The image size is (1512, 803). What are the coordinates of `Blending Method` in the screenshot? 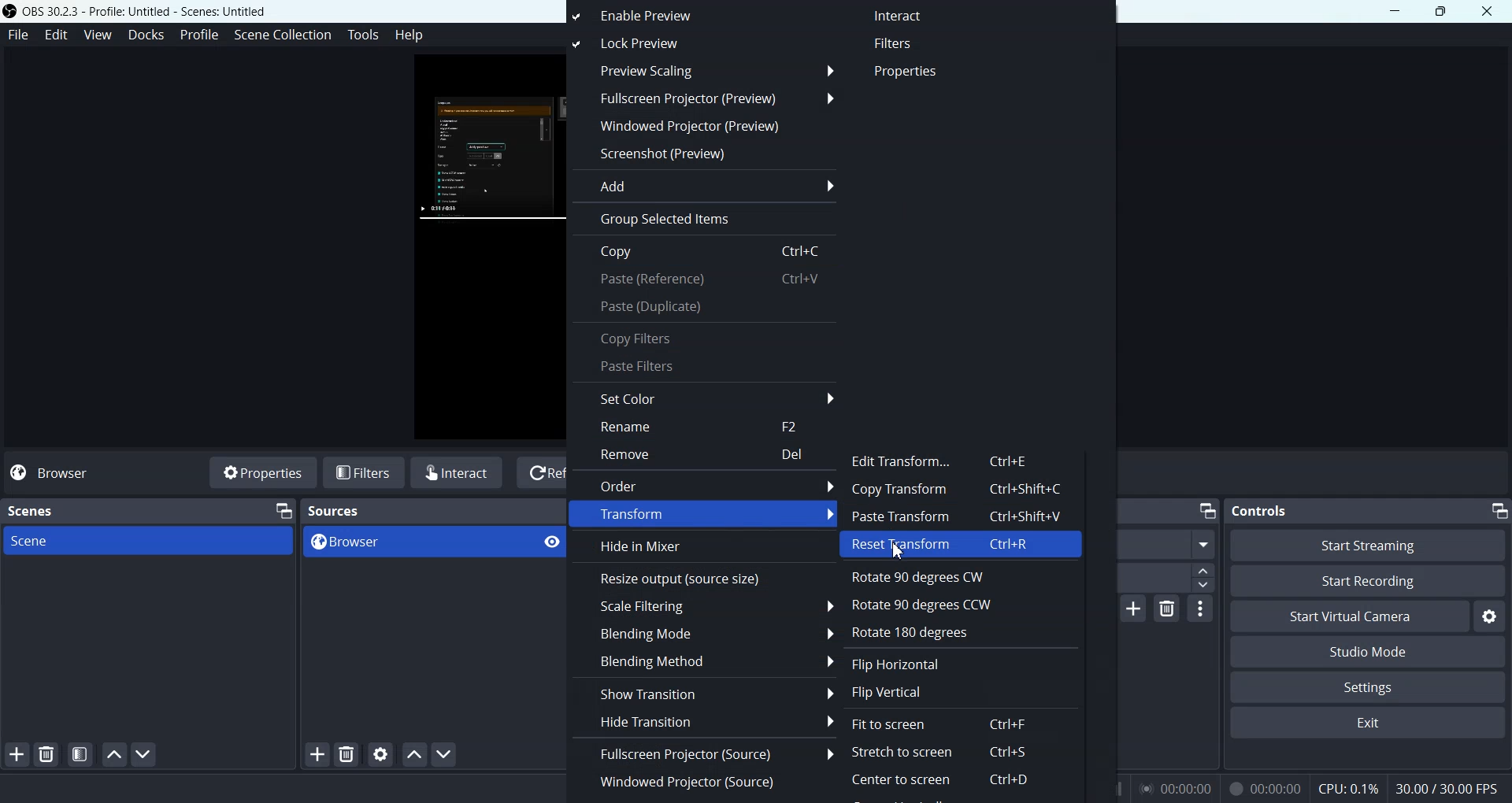 It's located at (706, 661).